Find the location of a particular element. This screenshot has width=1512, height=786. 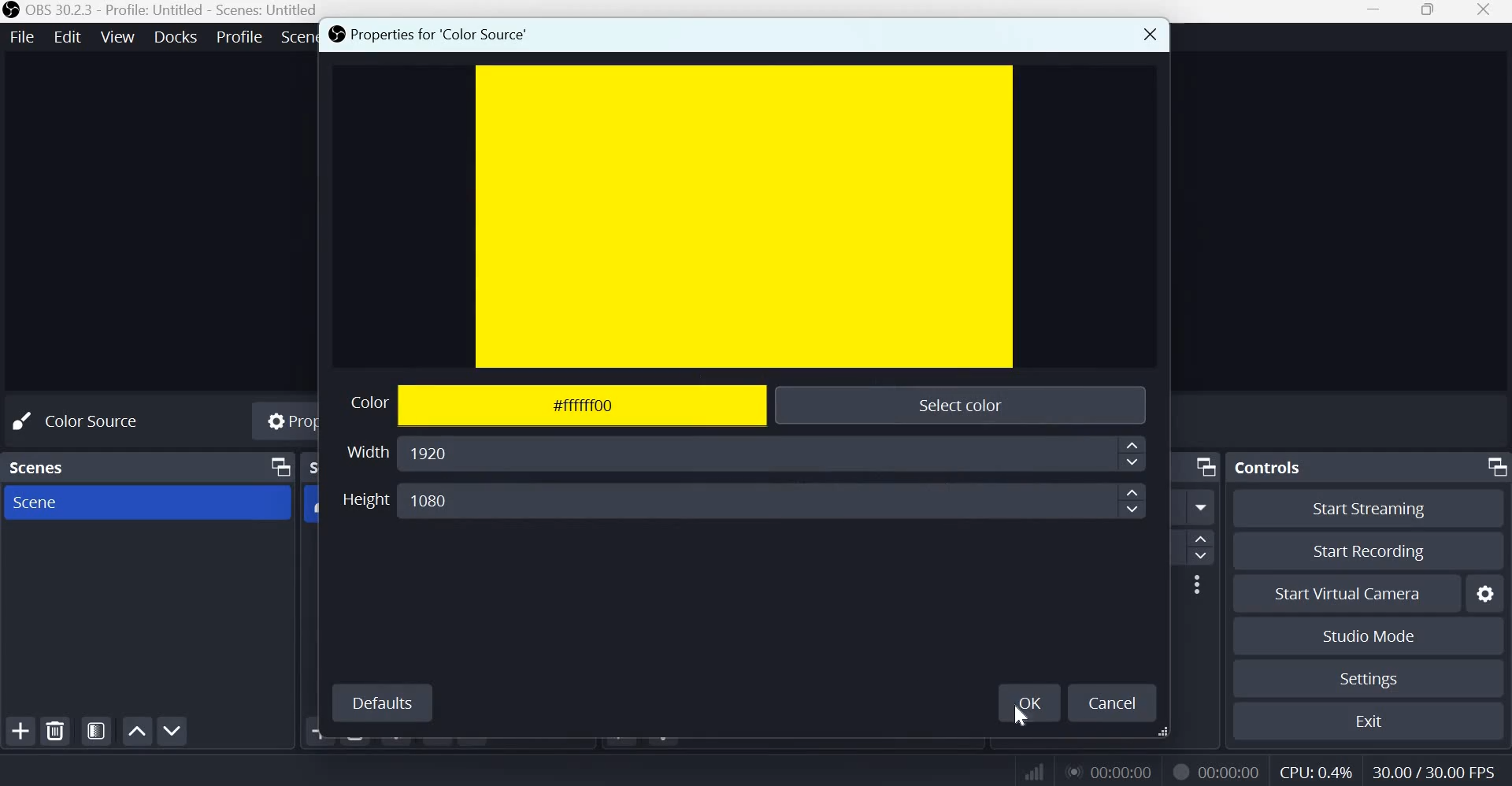

Height is located at coordinates (365, 499).